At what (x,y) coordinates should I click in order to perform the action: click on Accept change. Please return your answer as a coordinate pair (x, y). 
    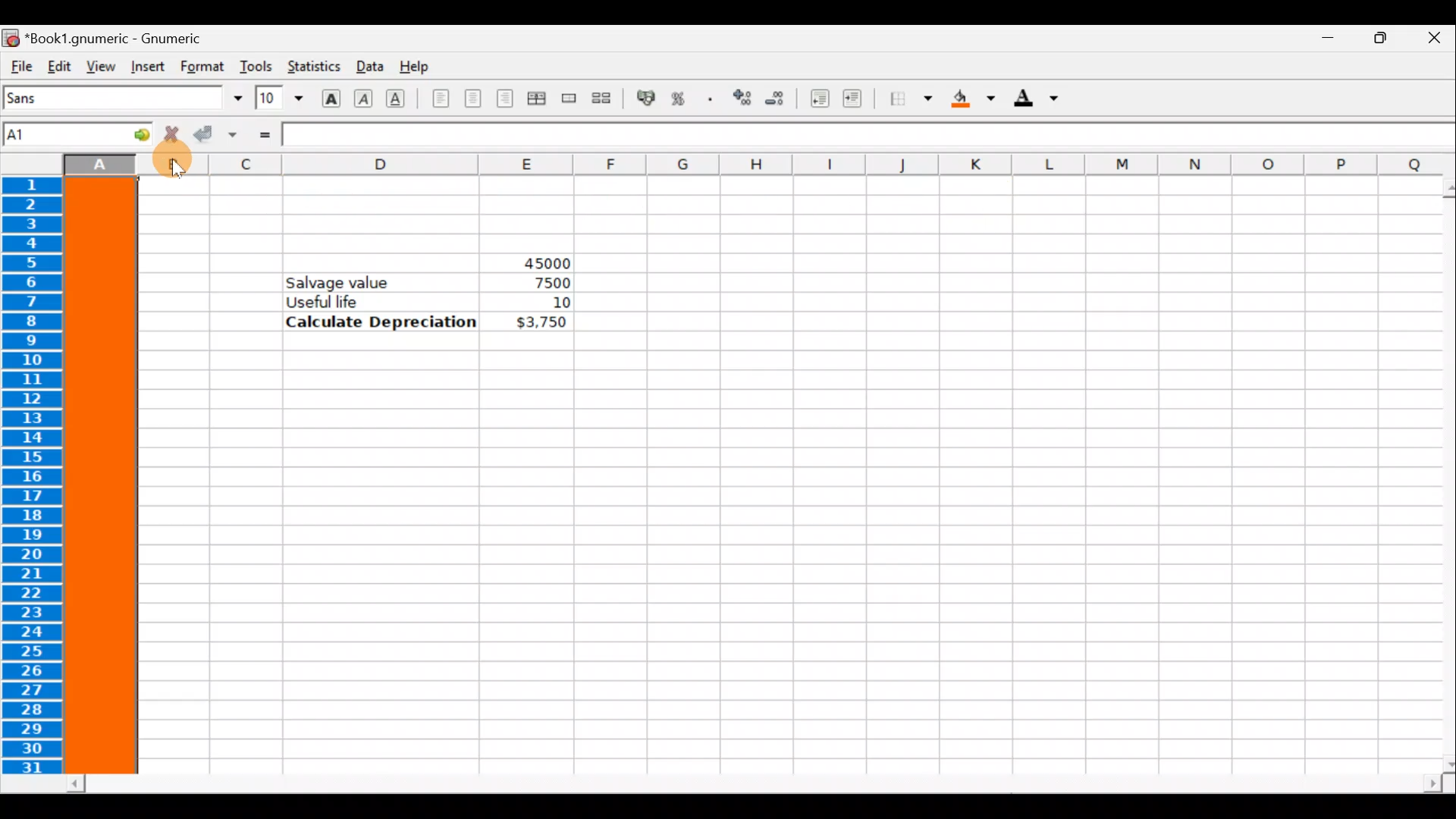
    Looking at the image, I should click on (215, 135).